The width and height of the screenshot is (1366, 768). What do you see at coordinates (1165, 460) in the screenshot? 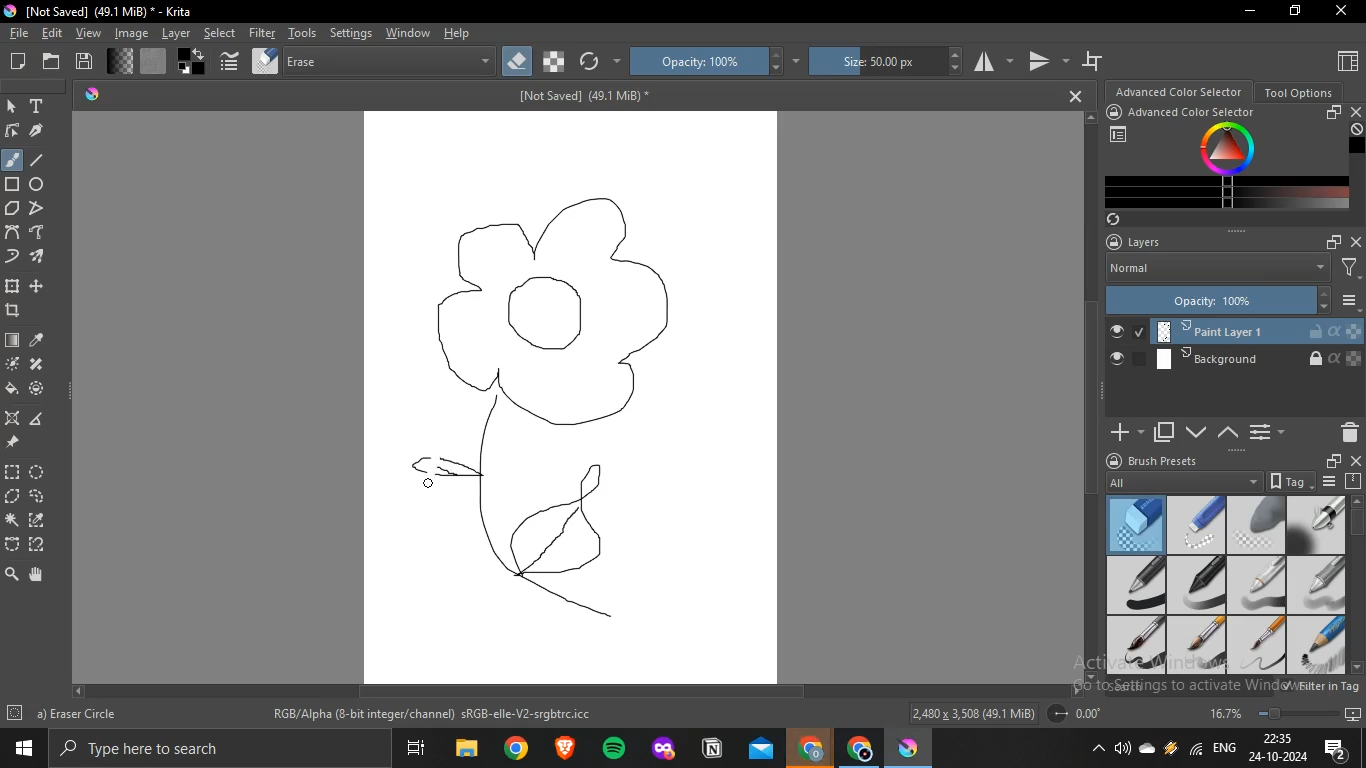
I see `brush presets` at bounding box center [1165, 460].